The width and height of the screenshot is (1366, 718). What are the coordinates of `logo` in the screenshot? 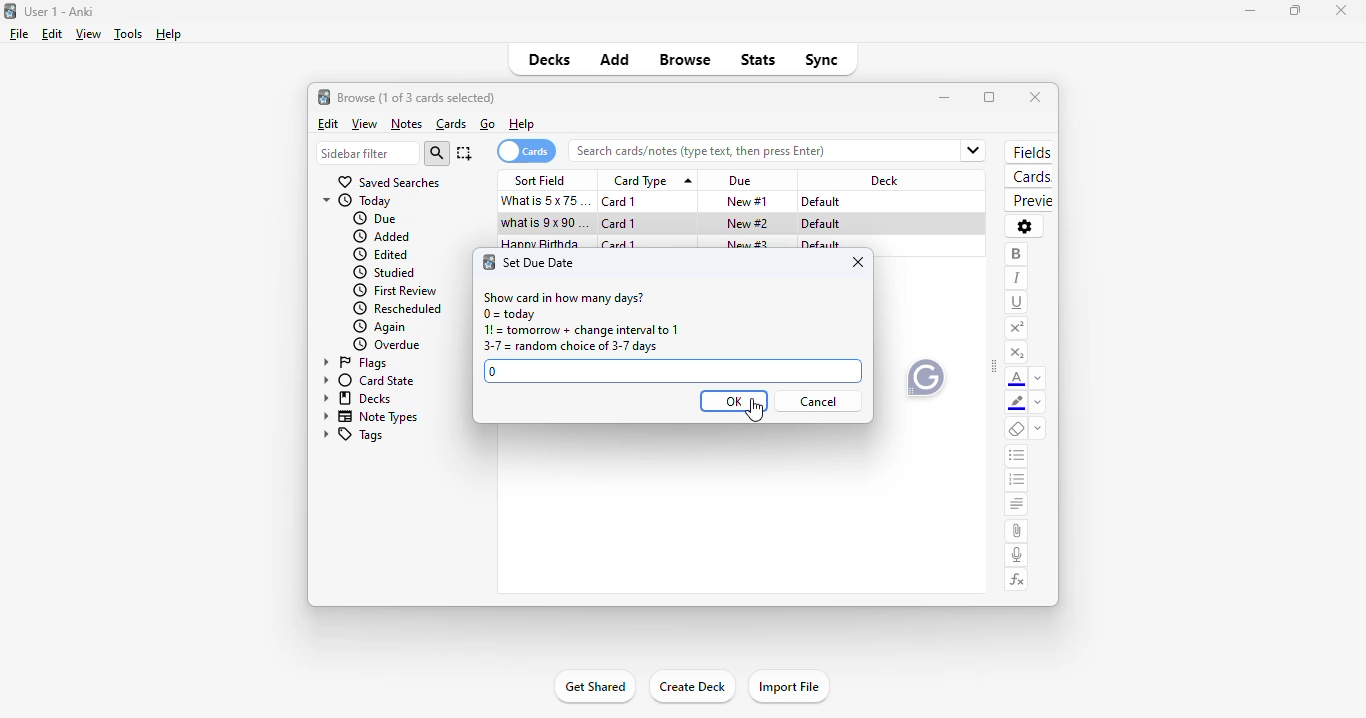 It's located at (9, 11).